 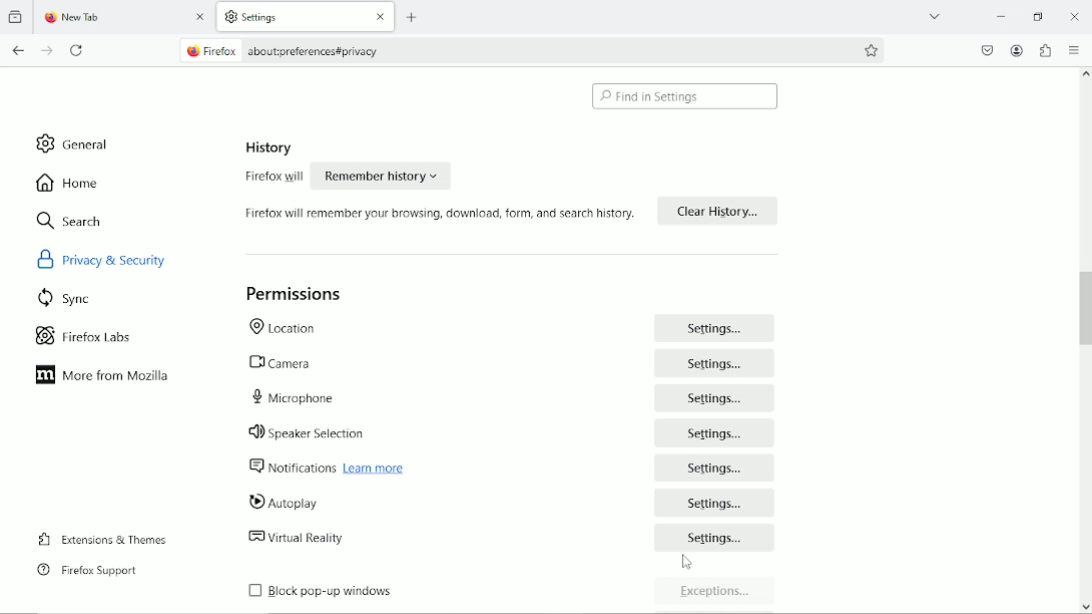 I want to click on checkbox, so click(x=253, y=590).